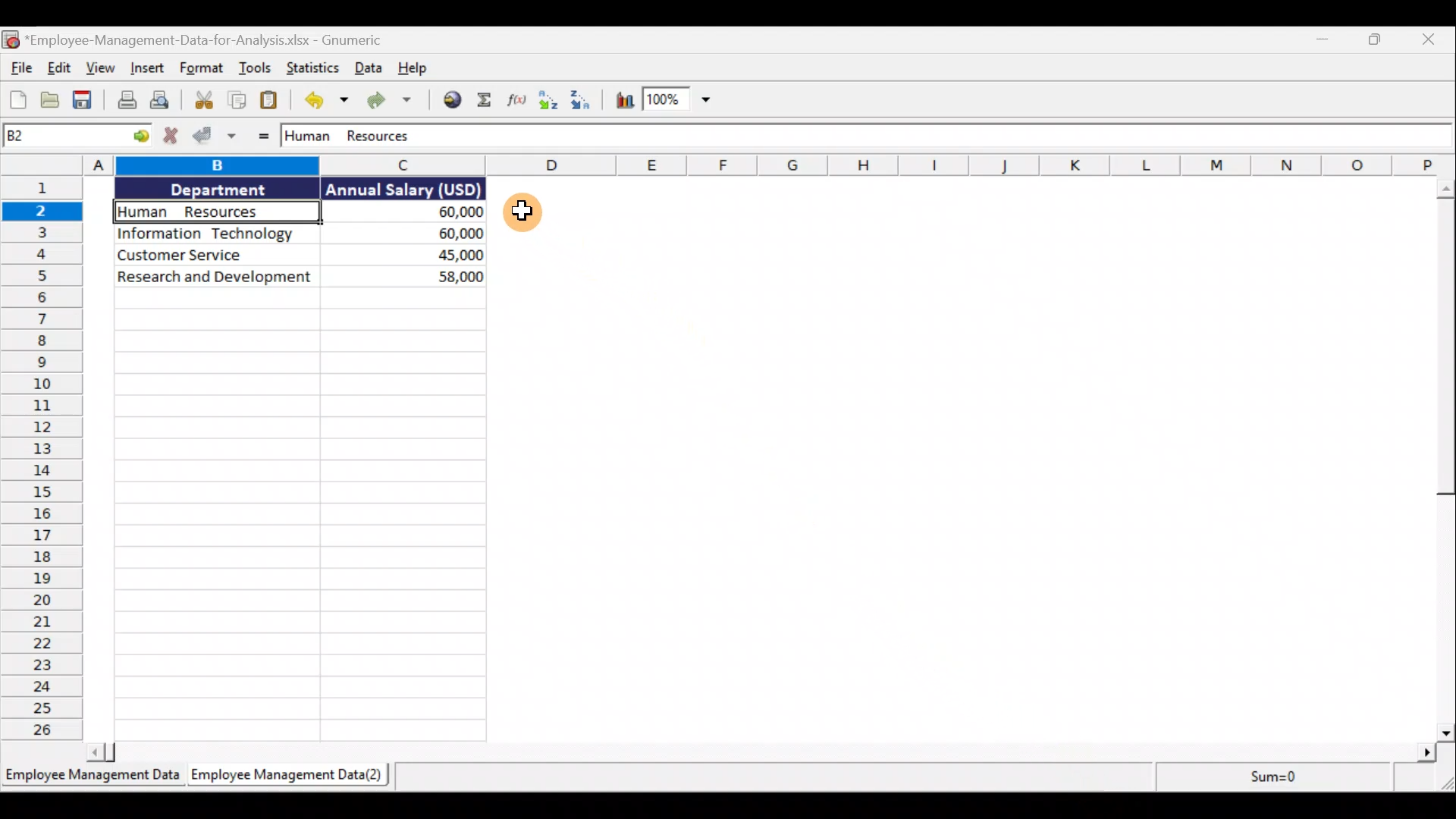 This screenshot has height=819, width=1456. Describe the element at coordinates (78, 136) in the screenshot. I see `Cell name` at that location.